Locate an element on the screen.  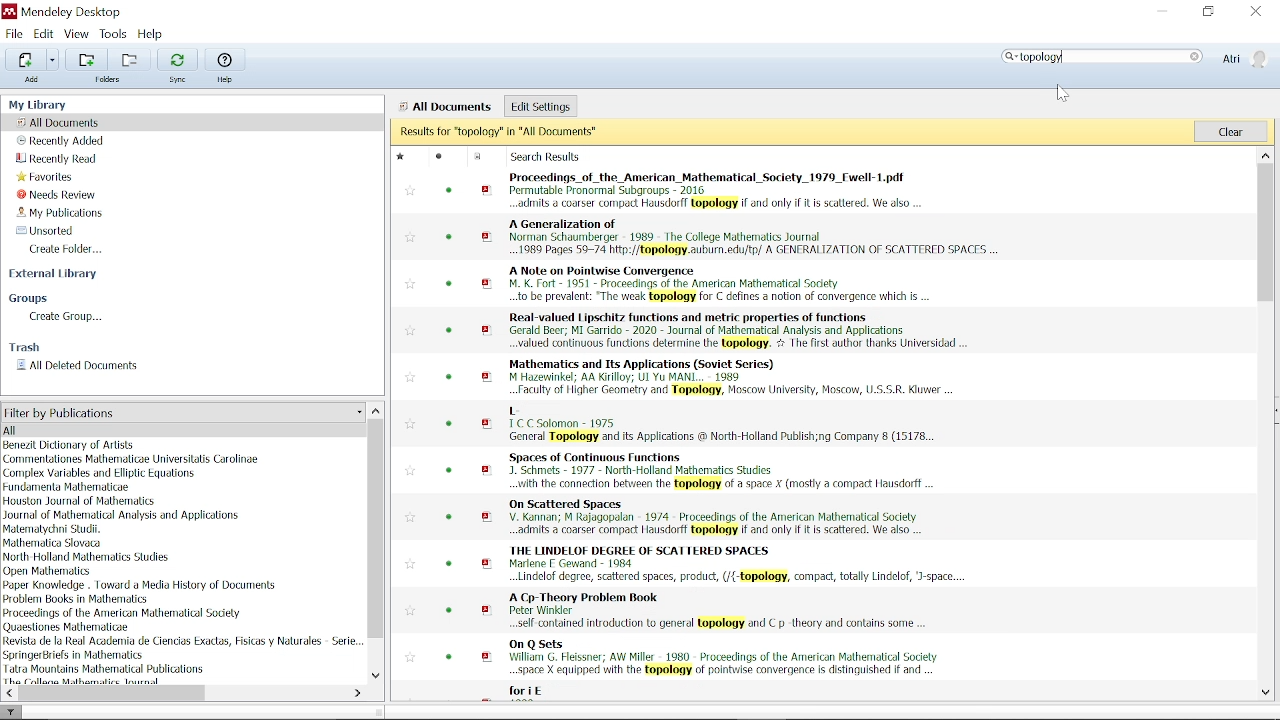
read is located at coordinates (447, 611).